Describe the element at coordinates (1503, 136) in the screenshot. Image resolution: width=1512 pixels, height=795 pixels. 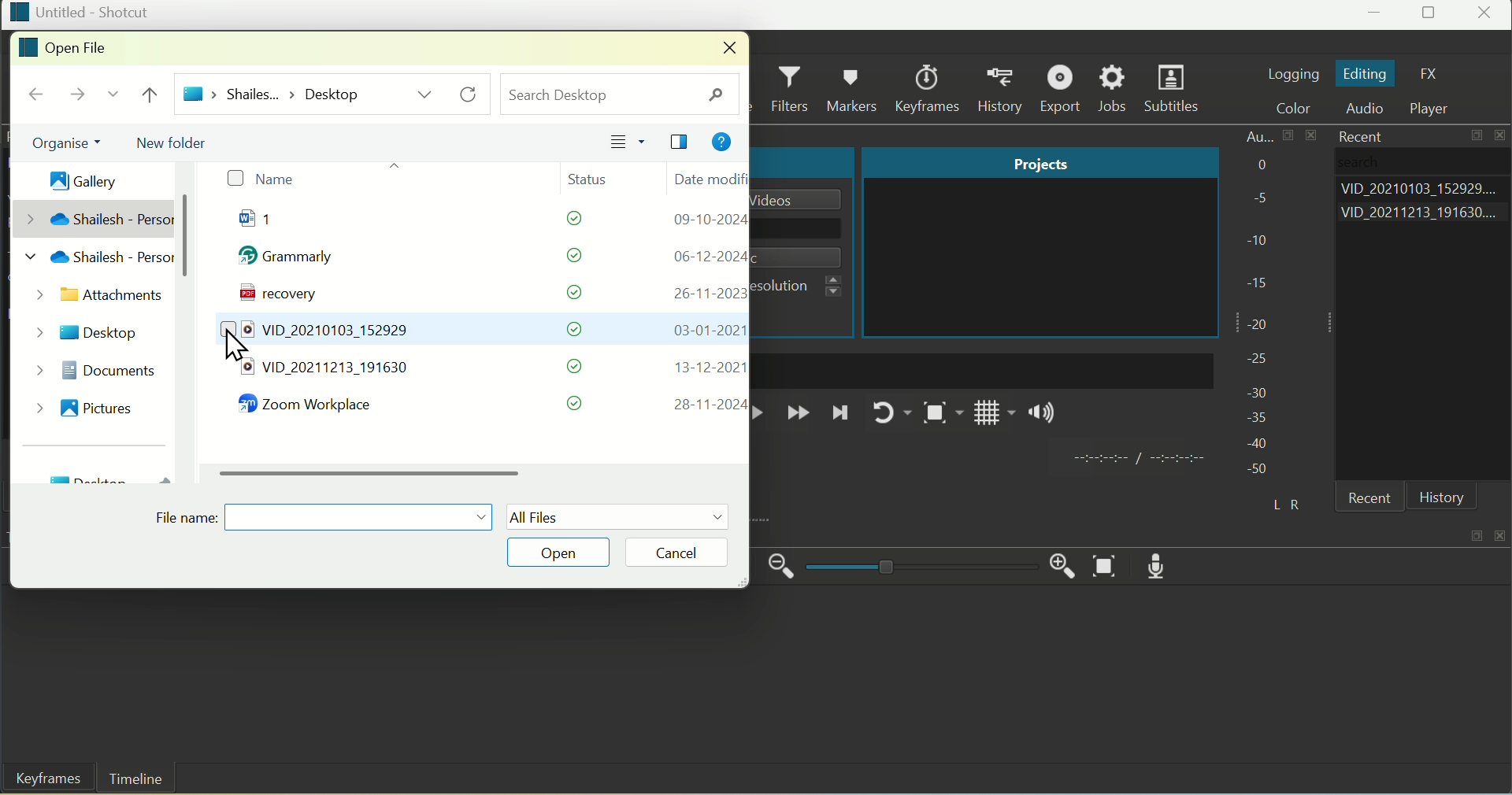
I see `close` at that location.